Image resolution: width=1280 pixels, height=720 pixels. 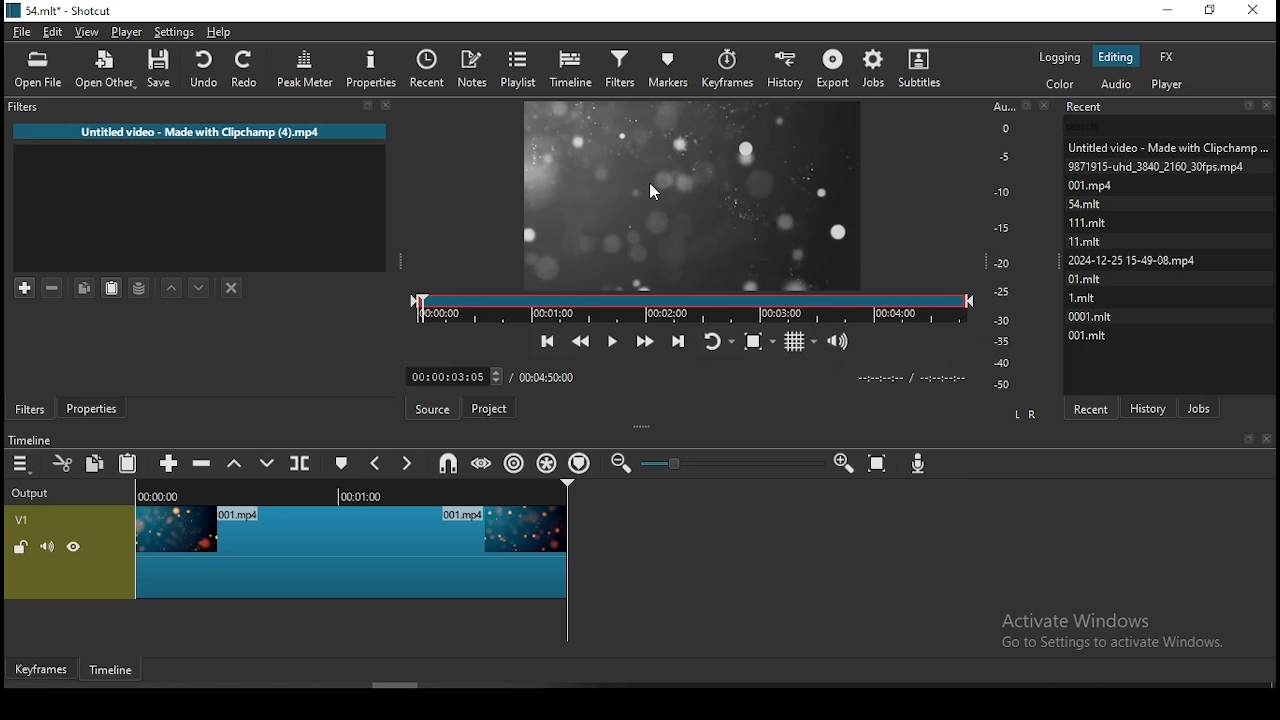 I want to click on move filter down, so click(x=196, y=285).